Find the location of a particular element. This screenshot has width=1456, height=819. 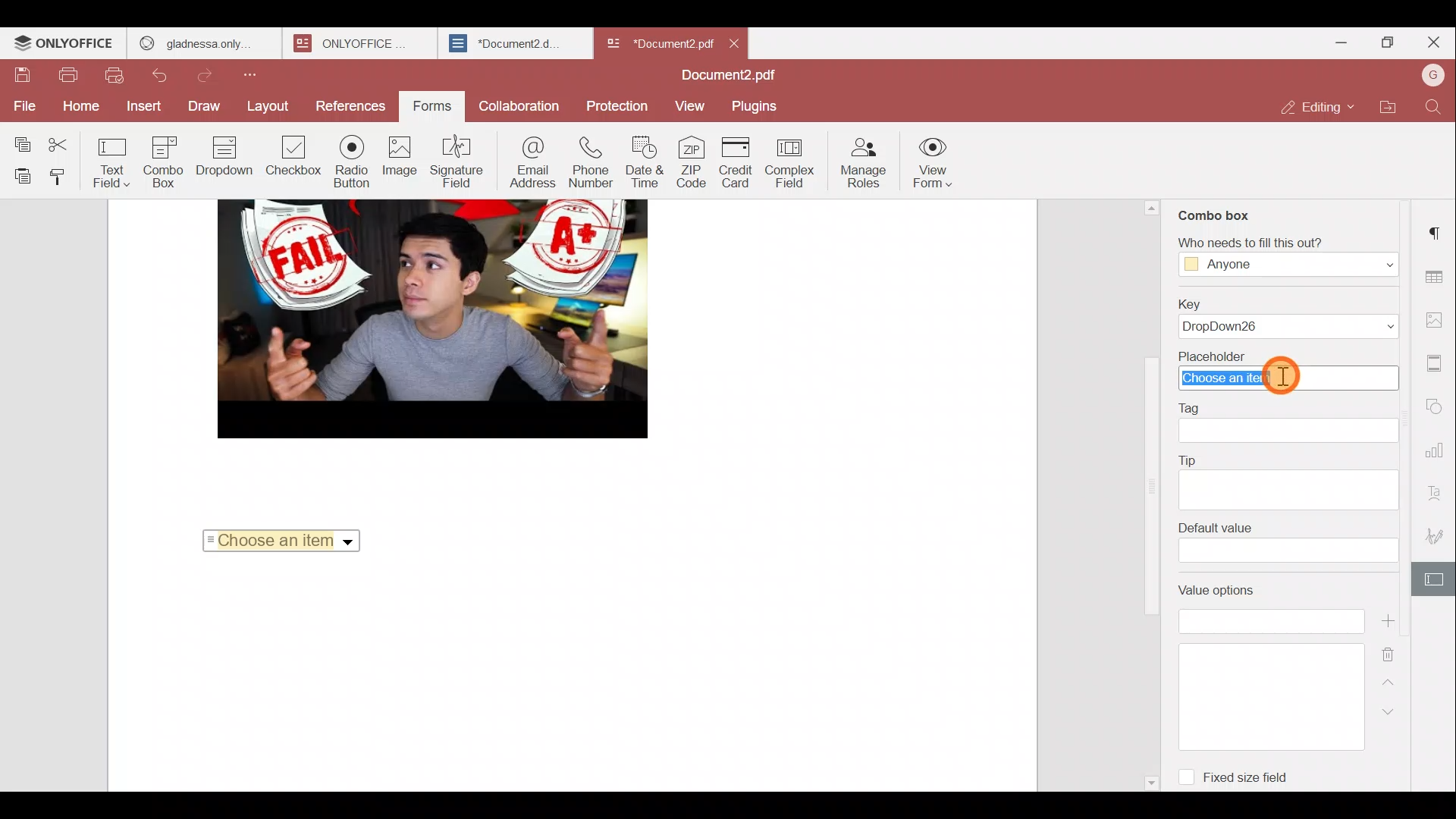

Layout is located at coordinates (267, 108).